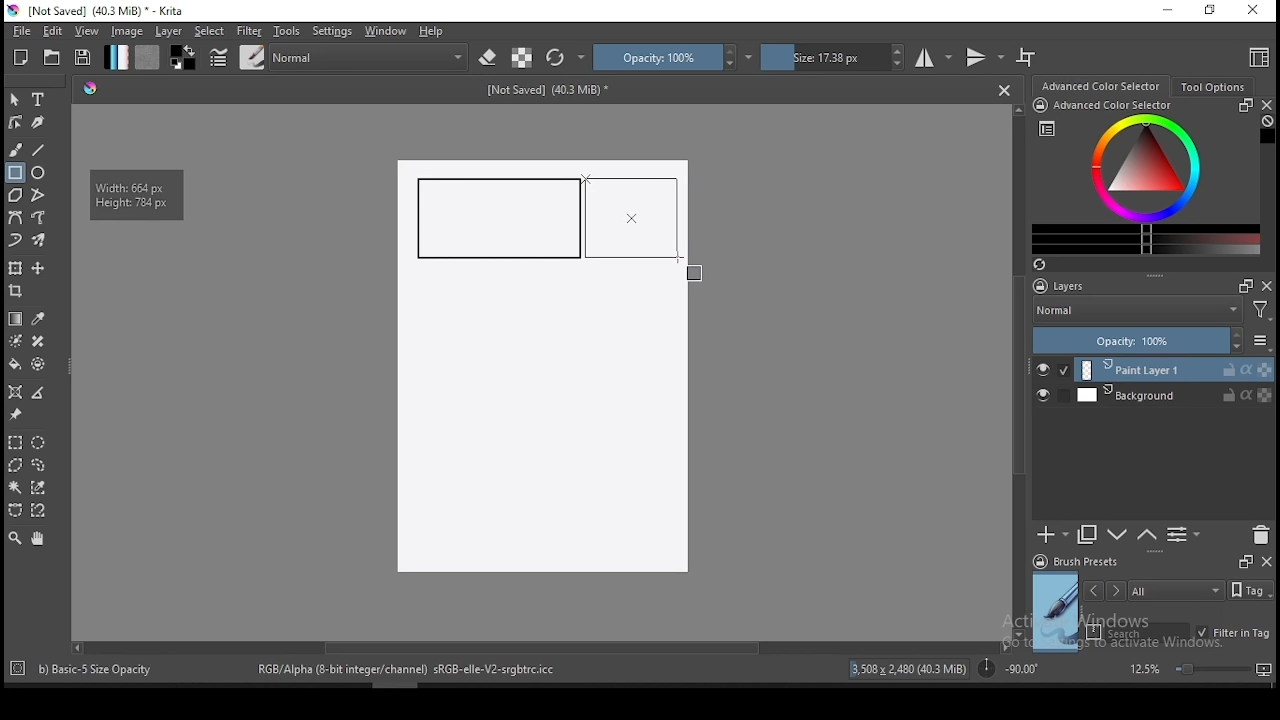  What do you see at coordinates (1056, 612) in the screenshot?
I see `preview` at bounding box center [1056, 612].